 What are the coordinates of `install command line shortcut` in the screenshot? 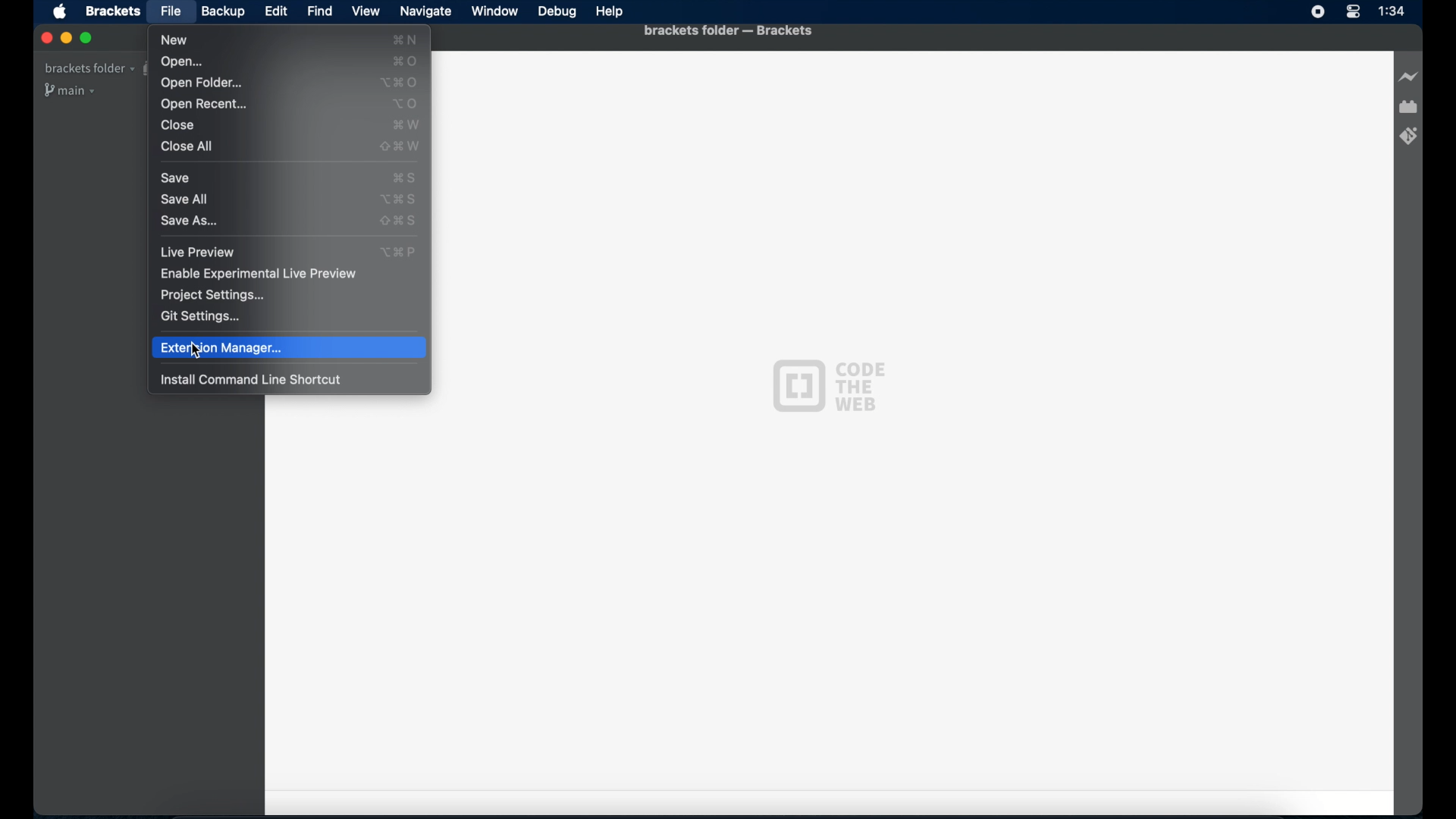 It's located at (252, 379).